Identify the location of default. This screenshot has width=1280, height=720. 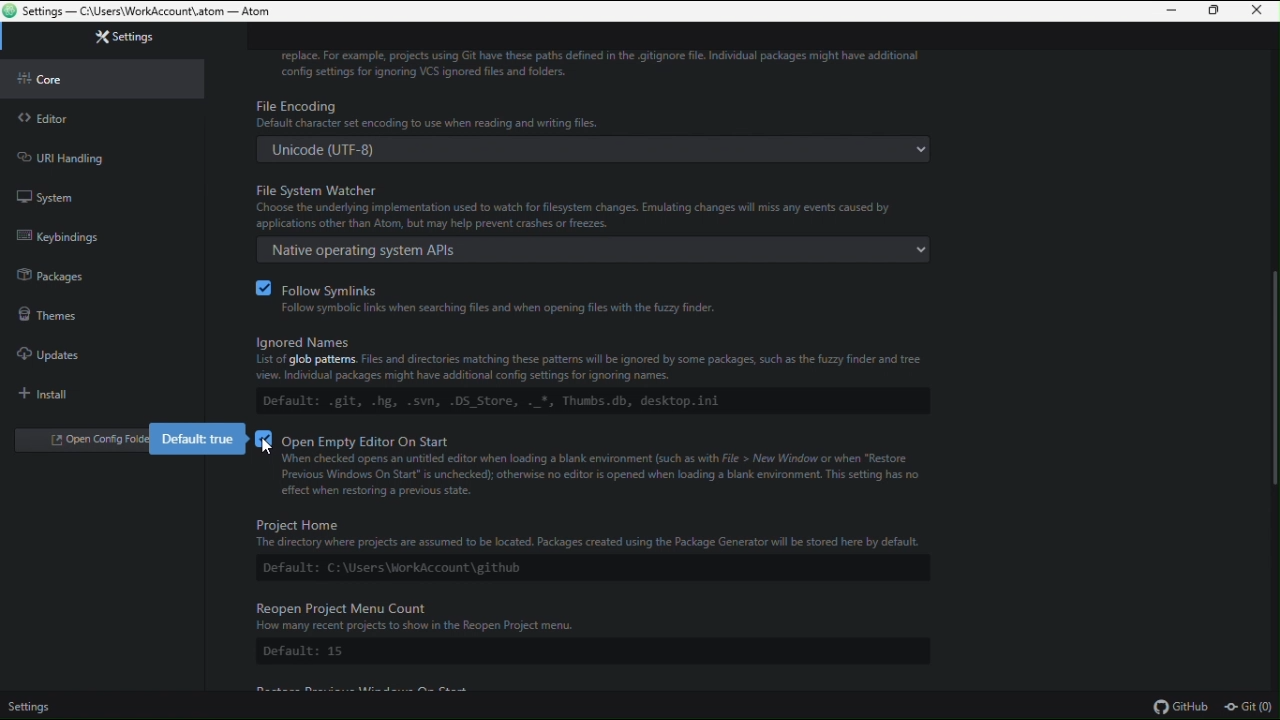
(589, 399).